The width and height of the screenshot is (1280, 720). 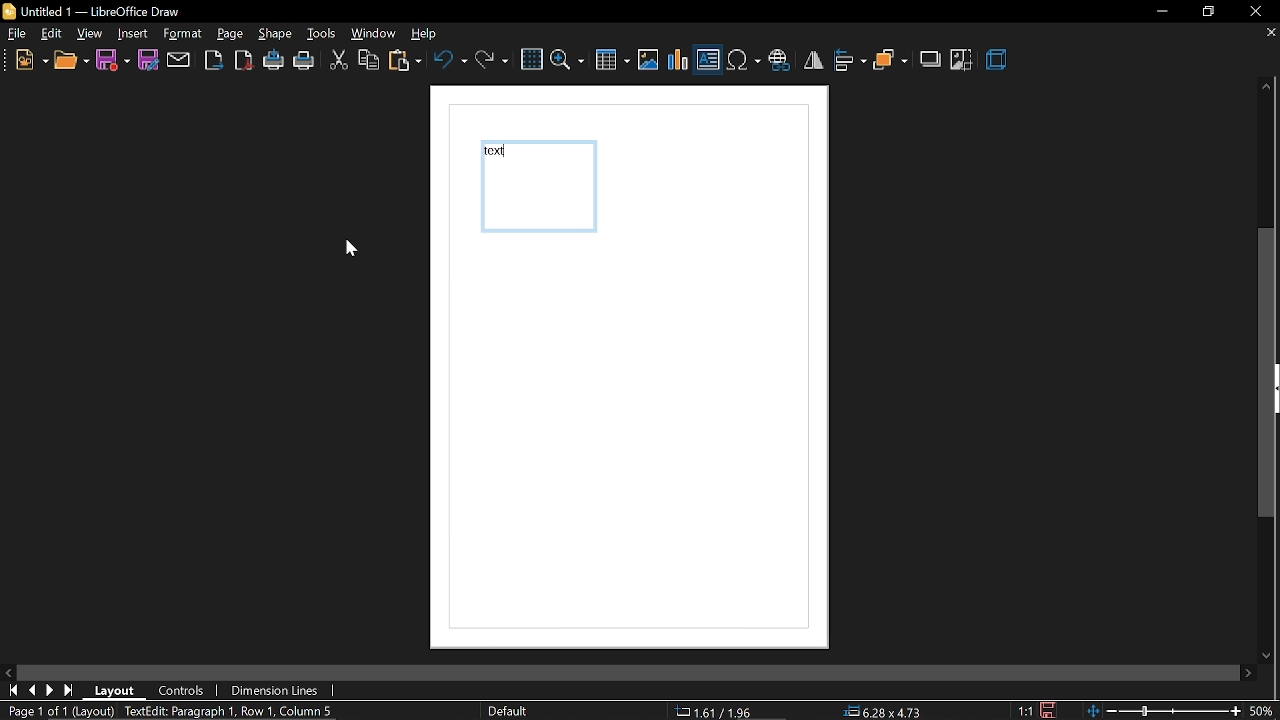 What do you see at coordinates (10, 673) in the screenshot?
I see `move left` at bounding box center [10, 673].